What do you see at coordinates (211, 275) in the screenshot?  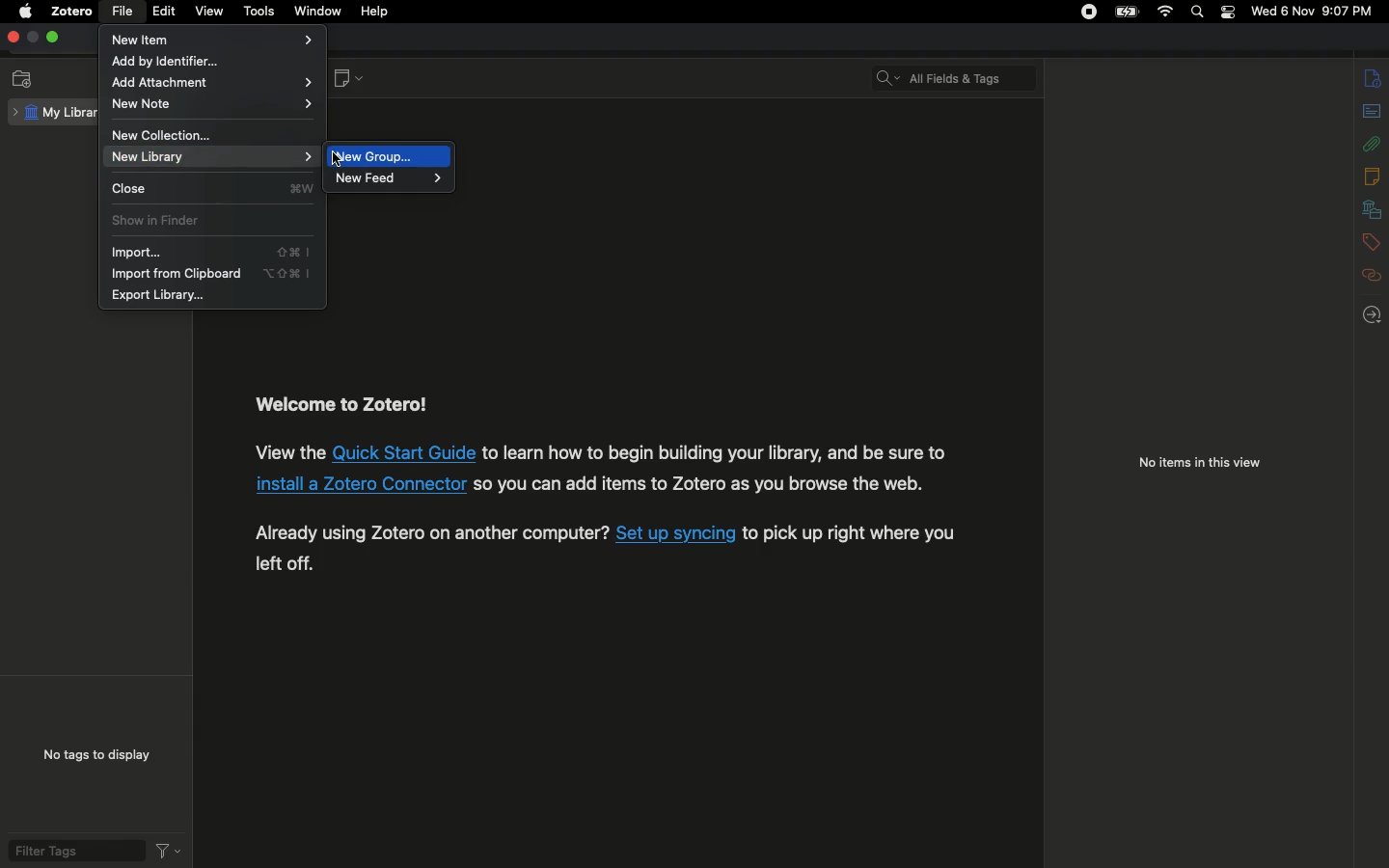 I see `Import from clipboard` at bounding box center [211, 275].